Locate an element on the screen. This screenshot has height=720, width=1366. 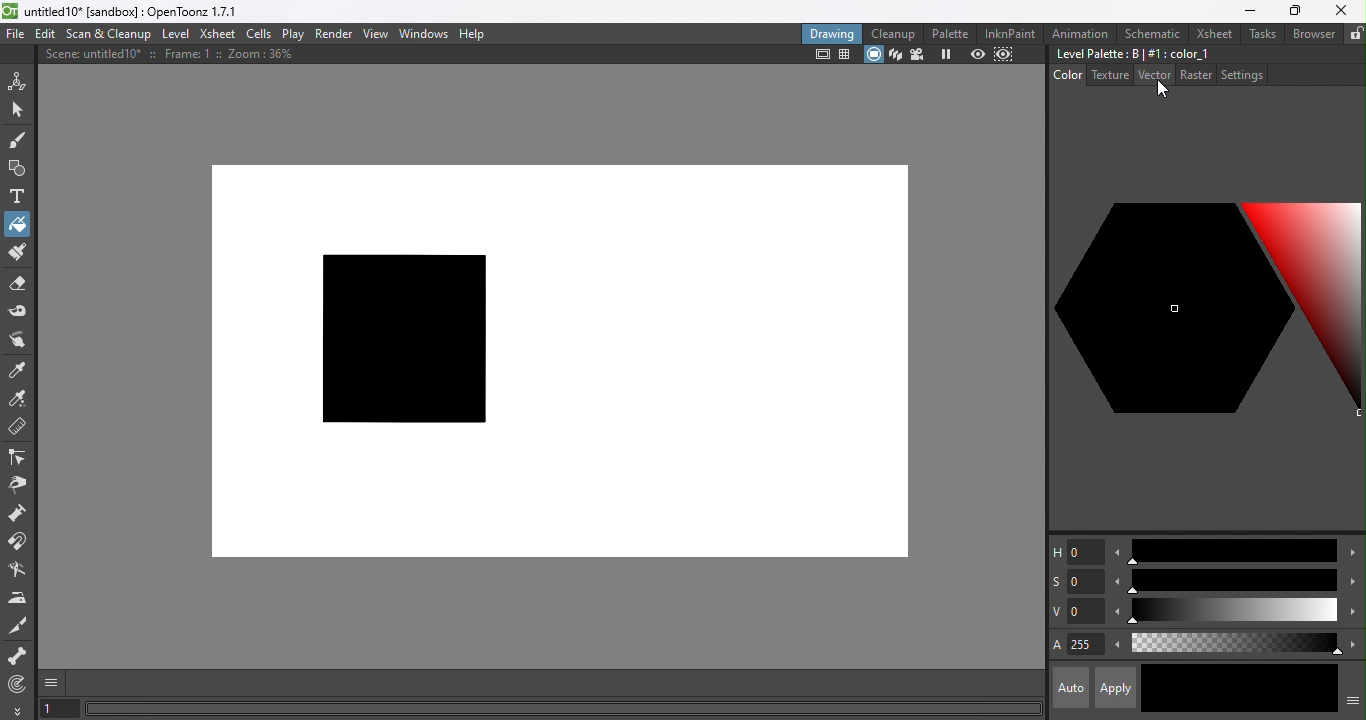
Fill tool is located at coordinates (17, 223).